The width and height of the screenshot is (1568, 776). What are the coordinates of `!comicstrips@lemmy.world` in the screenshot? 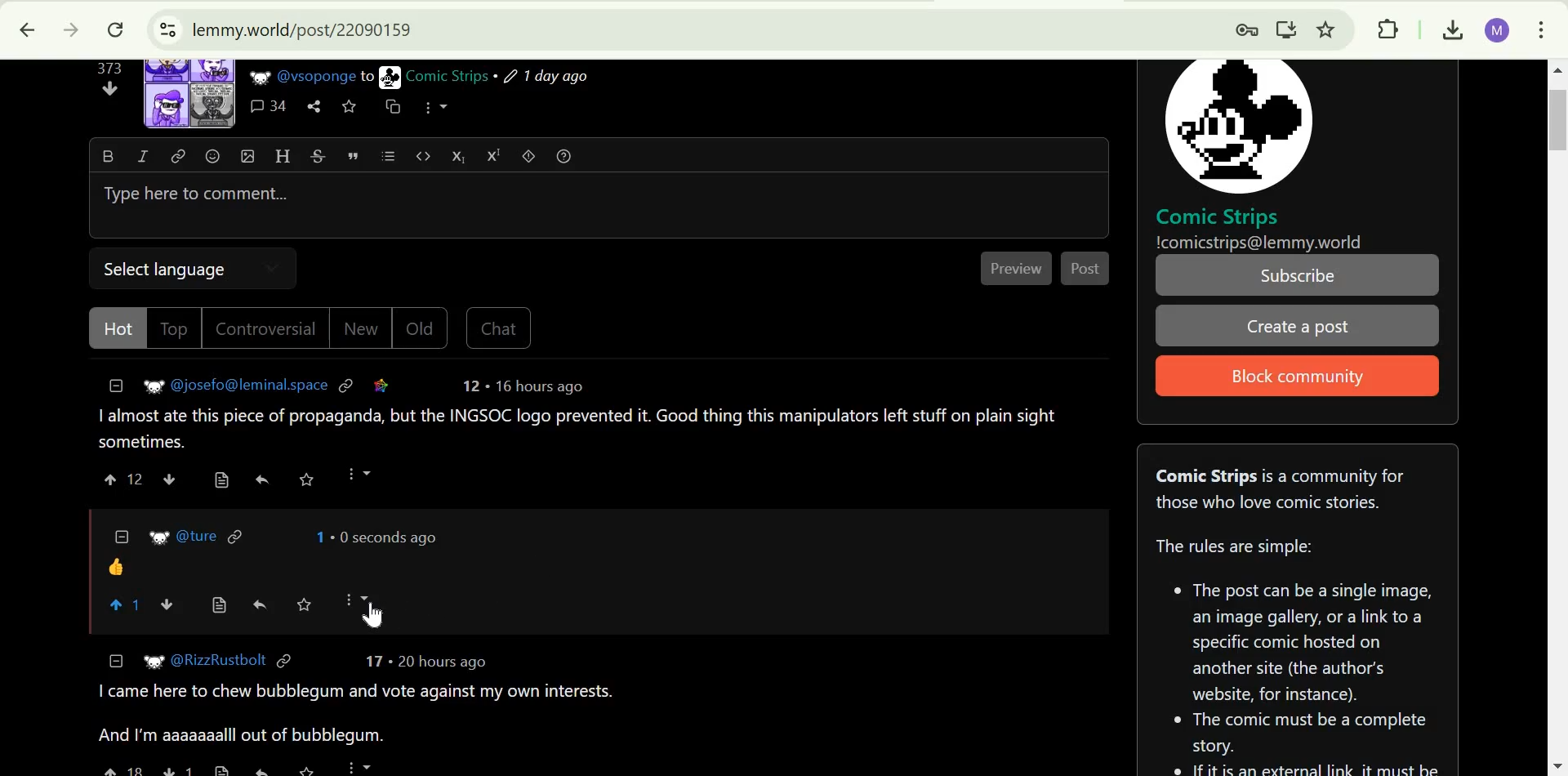 It's located at (1260, 243).